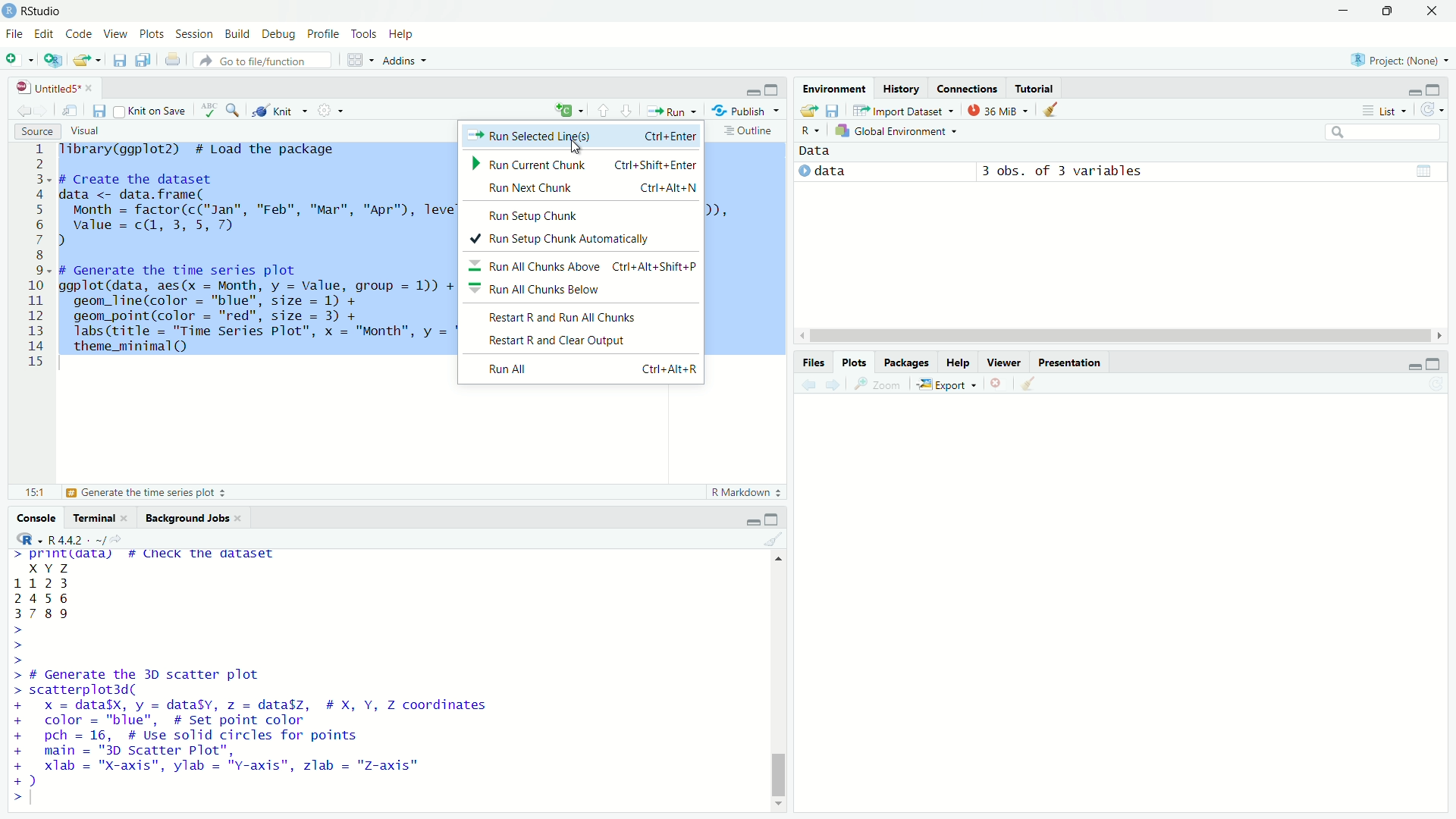 The width and height of the screenshot is (1456, 819). What do you see at coordinates (408, 60) in the screenshot?
I see `addins` at bounding box center [408, 60].